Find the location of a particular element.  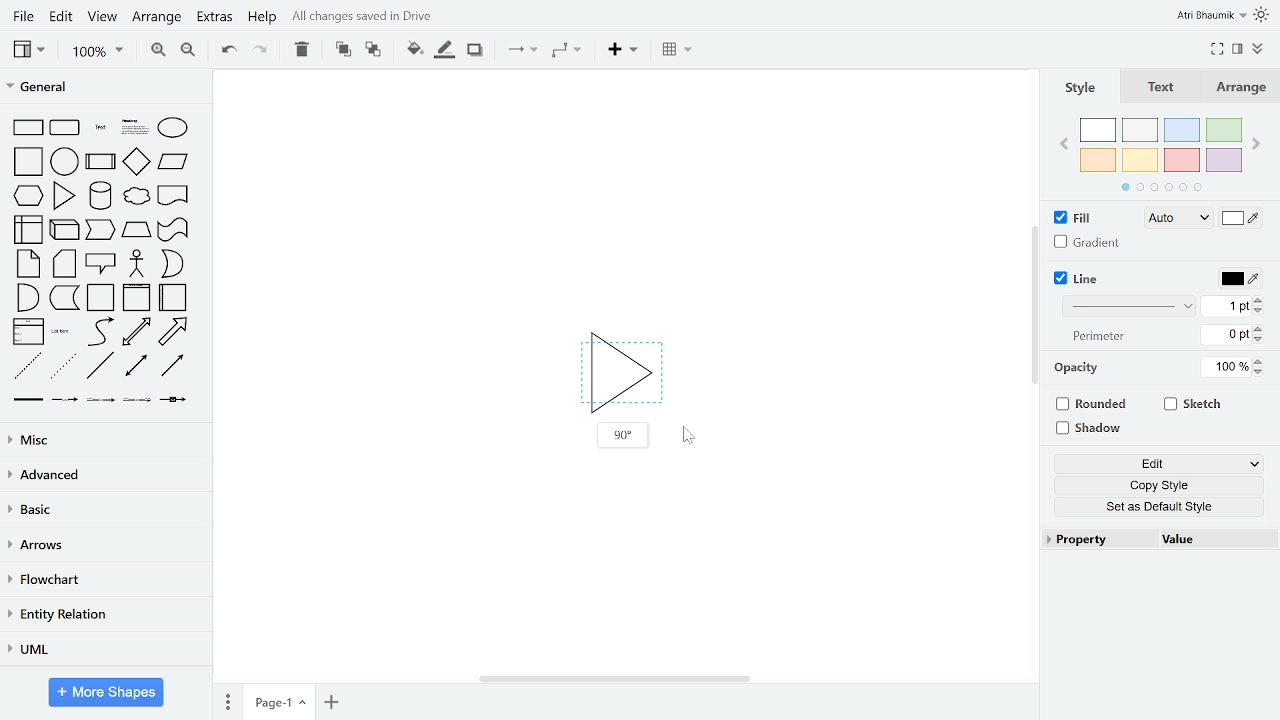

tape is located at coordinates (171, 232).